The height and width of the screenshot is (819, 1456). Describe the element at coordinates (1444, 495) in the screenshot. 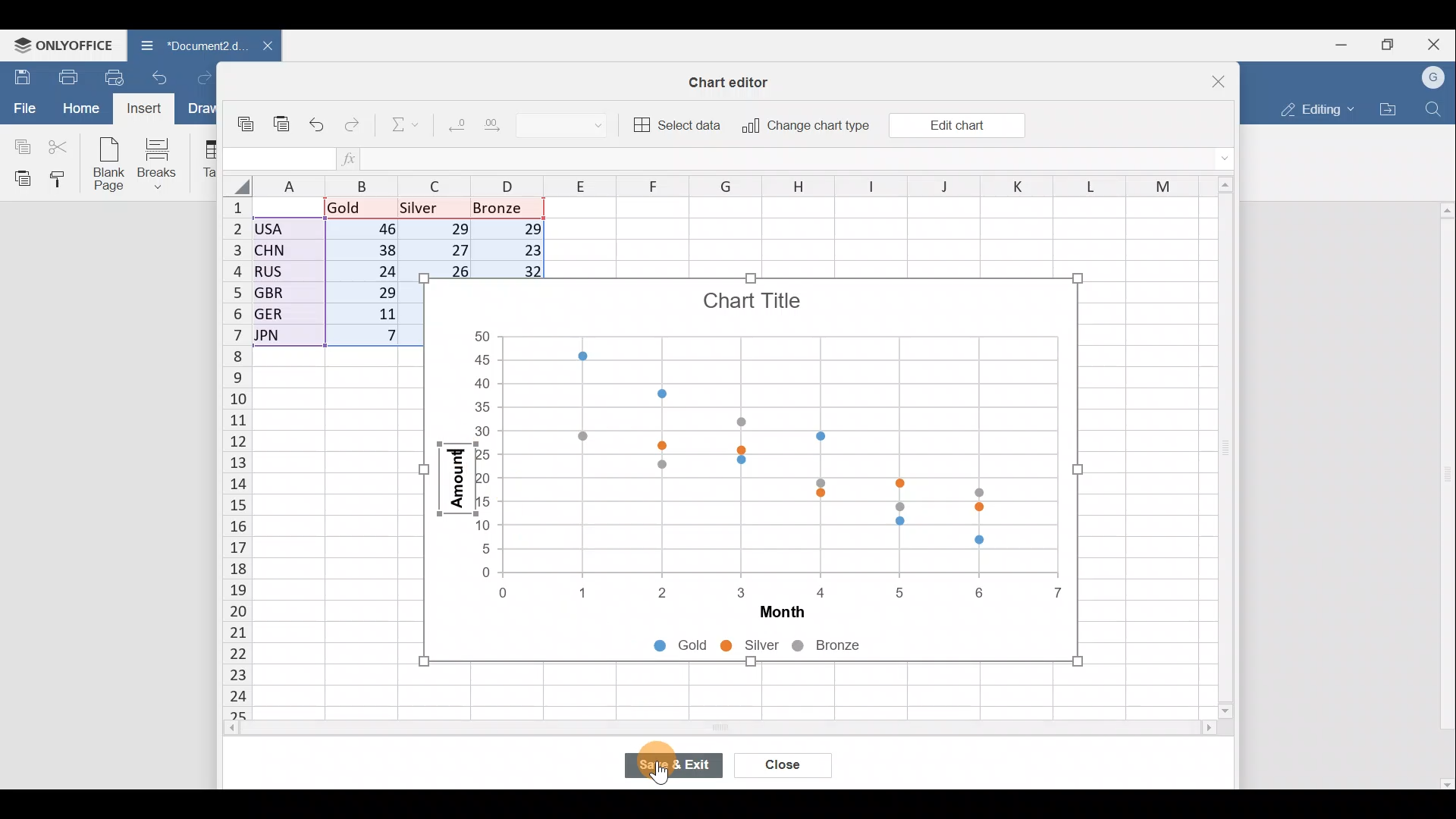

I see `Scroll bar` at that location.